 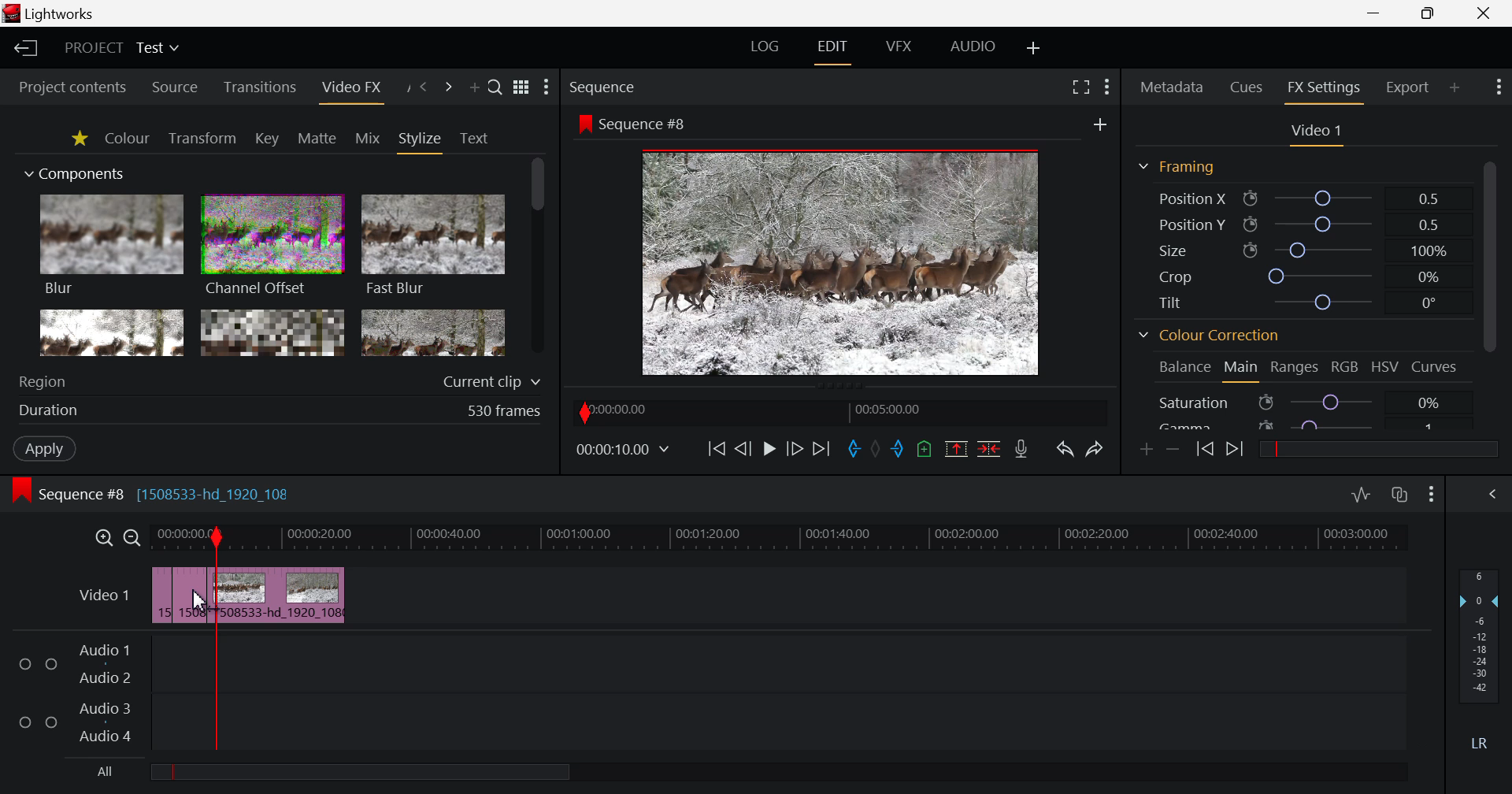 I want to click on RGB, so click(x=1346, y=366).